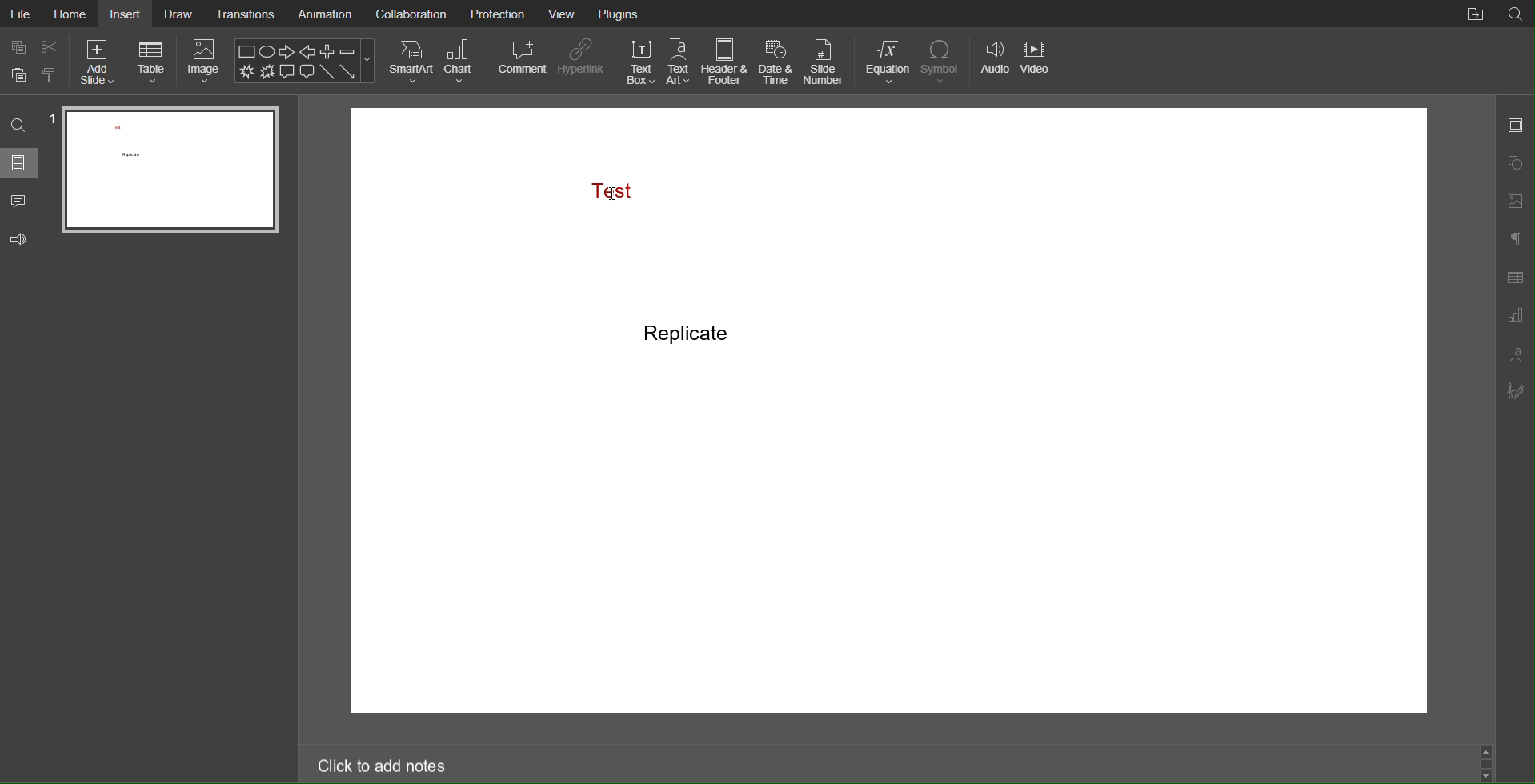 The width and height of the screenshot is (1535, 784). Describe the element at coordinates (776, 62) in the screenshot. I see `Date & Time` at that location.